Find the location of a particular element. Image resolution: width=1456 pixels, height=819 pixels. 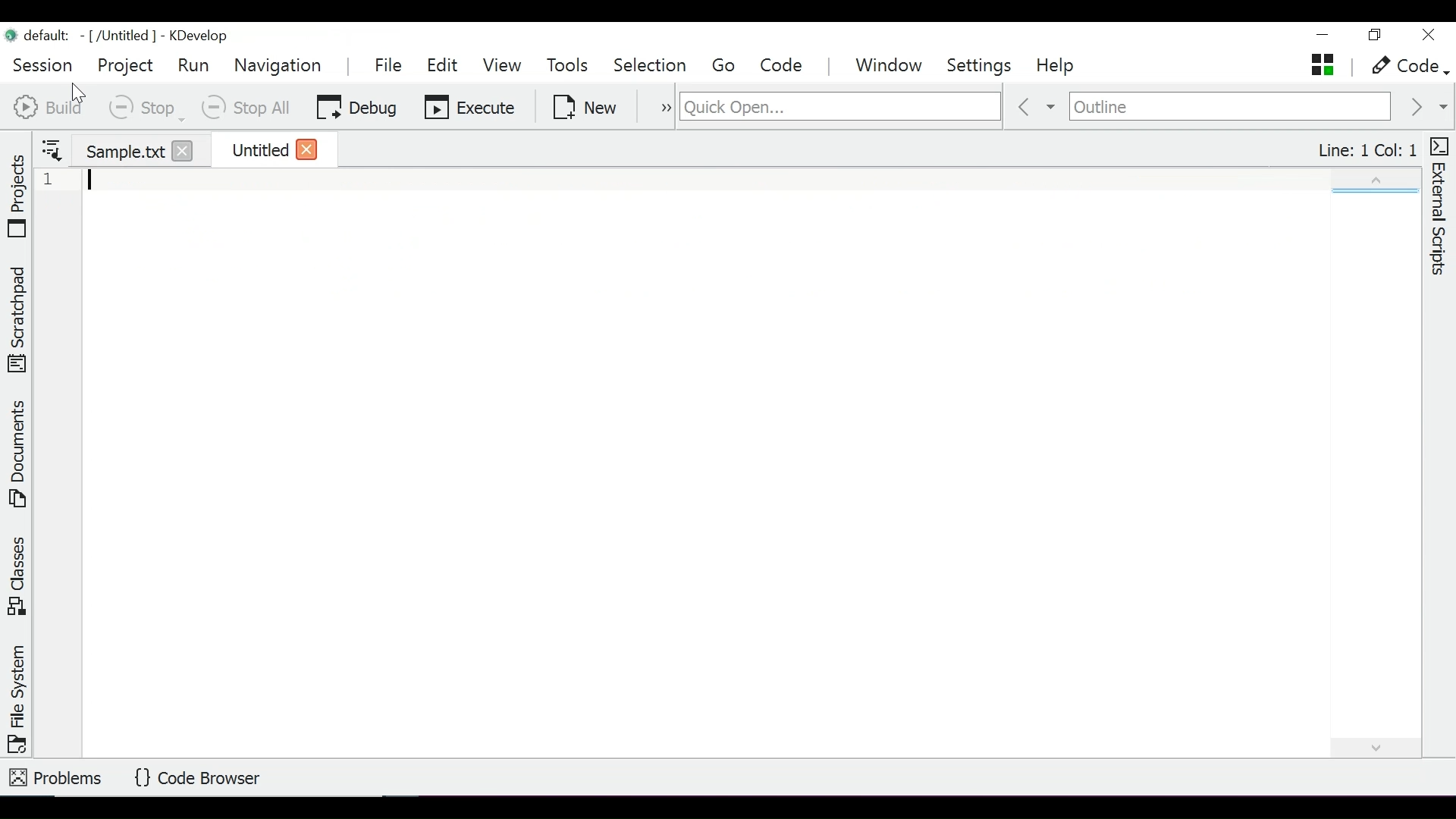

Navigation is located at coordinates (281, 67).